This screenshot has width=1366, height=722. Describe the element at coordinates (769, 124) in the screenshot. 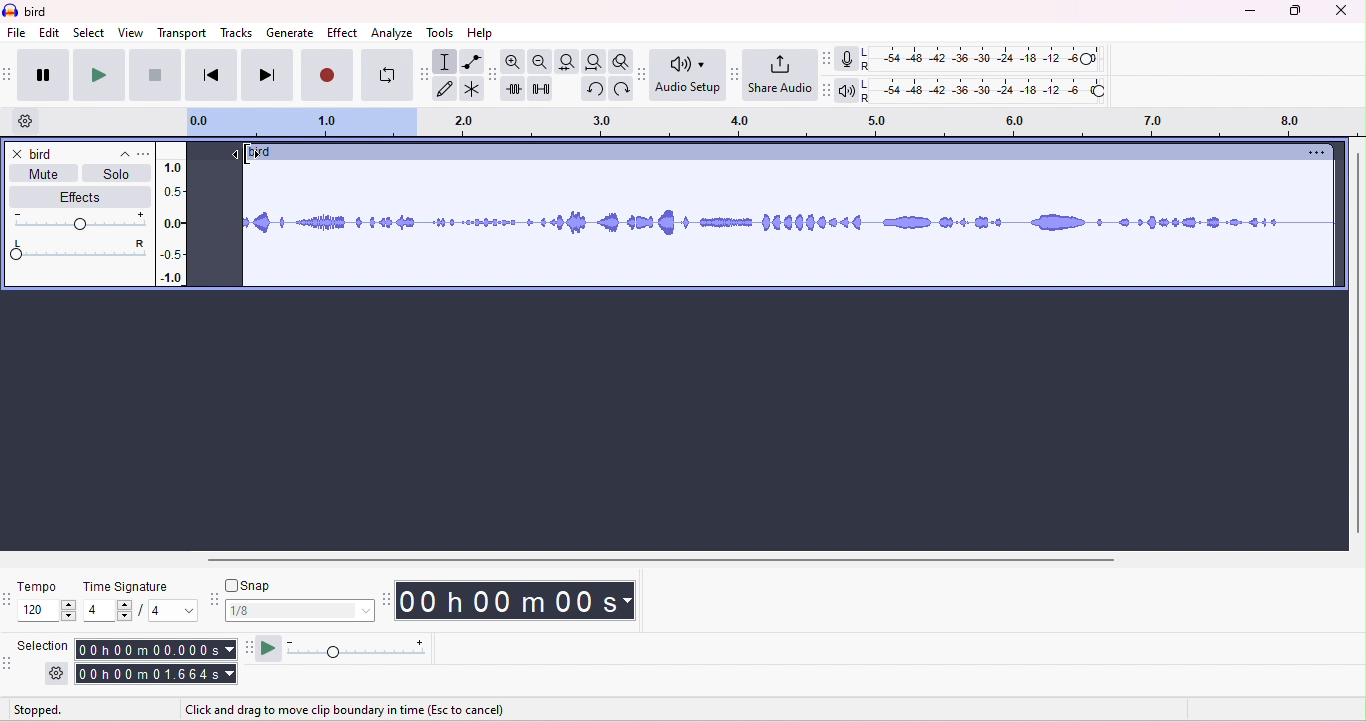

I see `timeline` at that location.